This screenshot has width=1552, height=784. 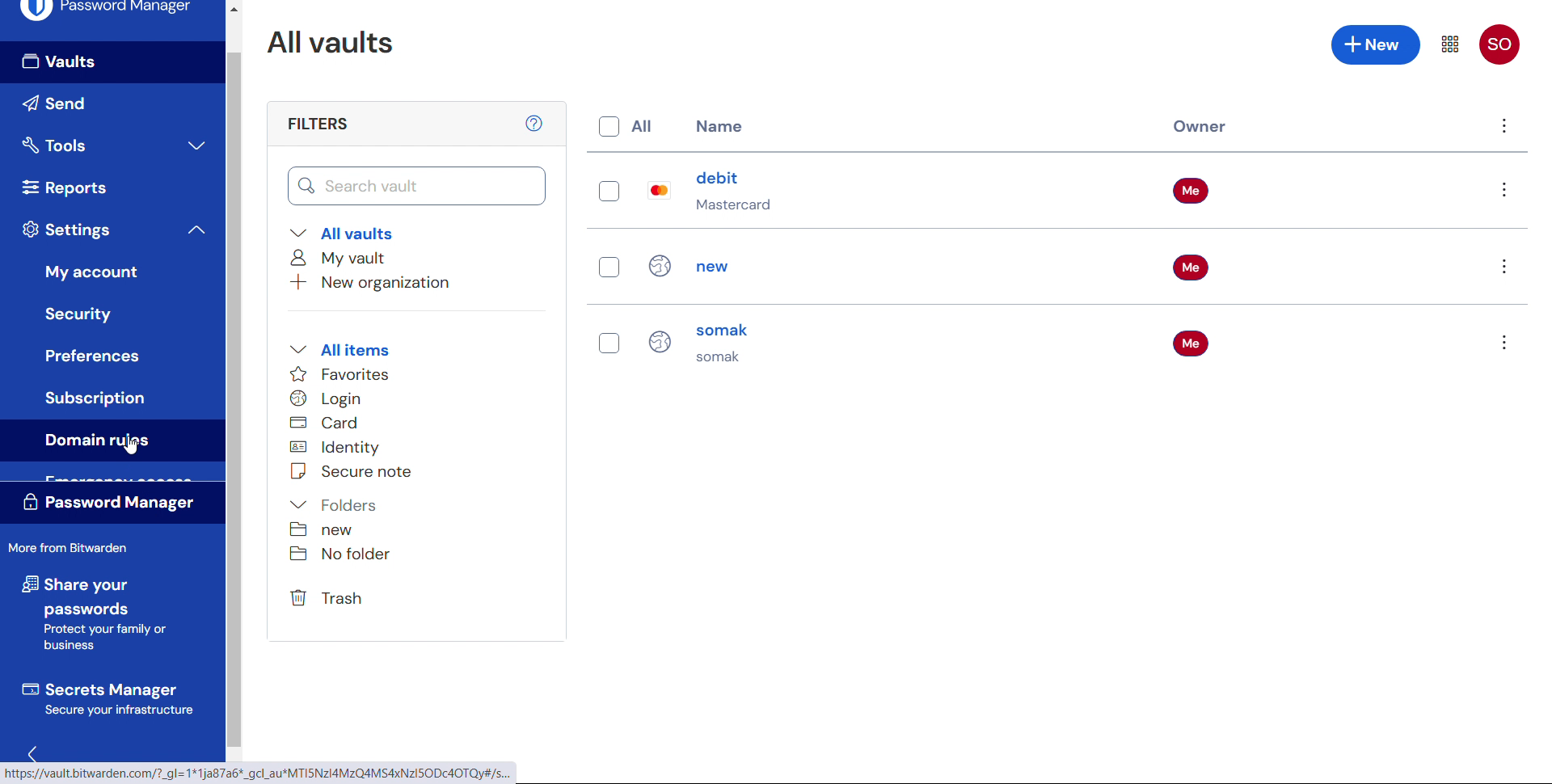 I want to click on Settings , so click(x=68, y=230).